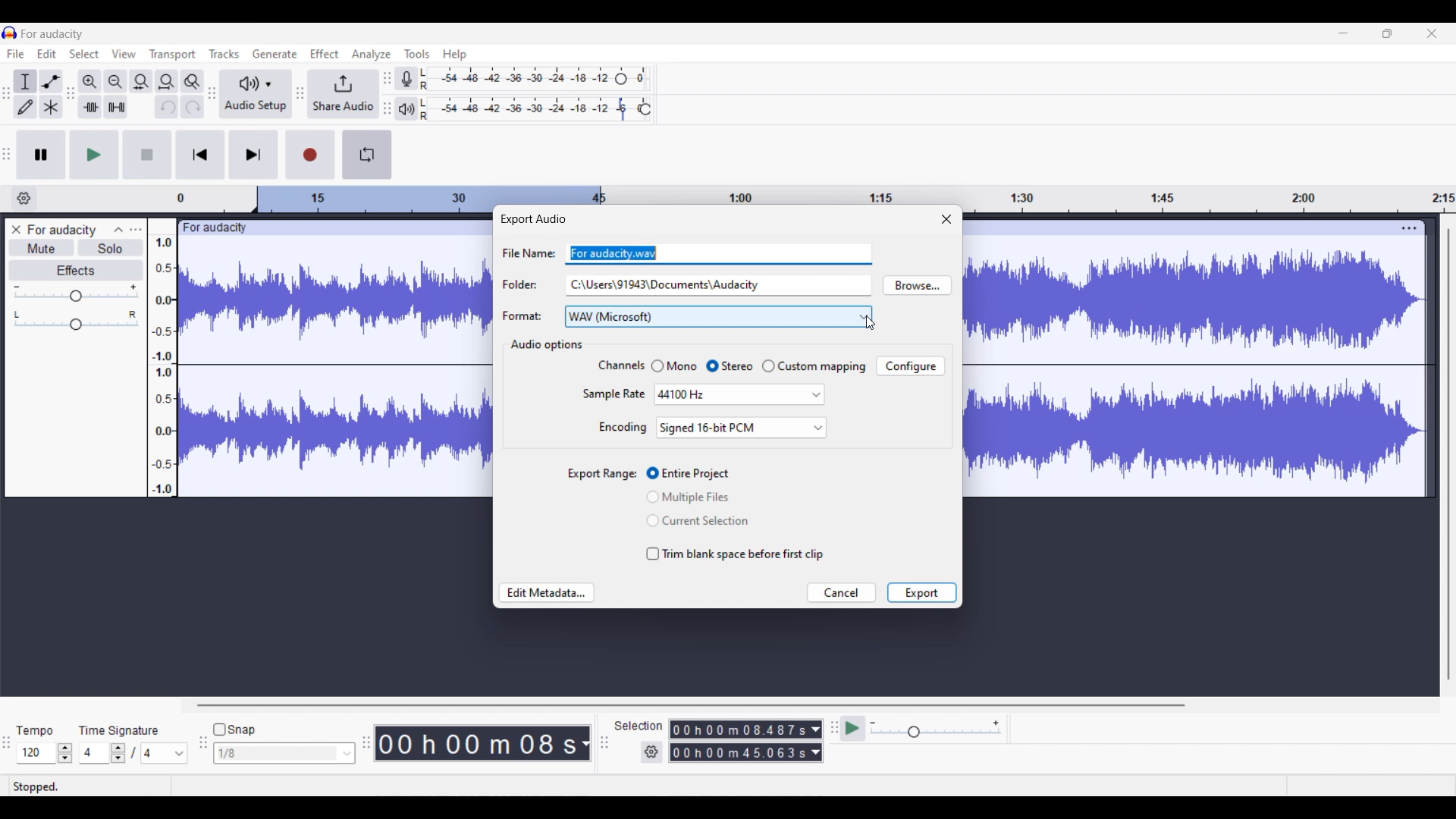 The width and height of the screenshot is (1456, 819). Describe the element at coordinates (41, 155) in the screenshot. I see `Pause` at that location.